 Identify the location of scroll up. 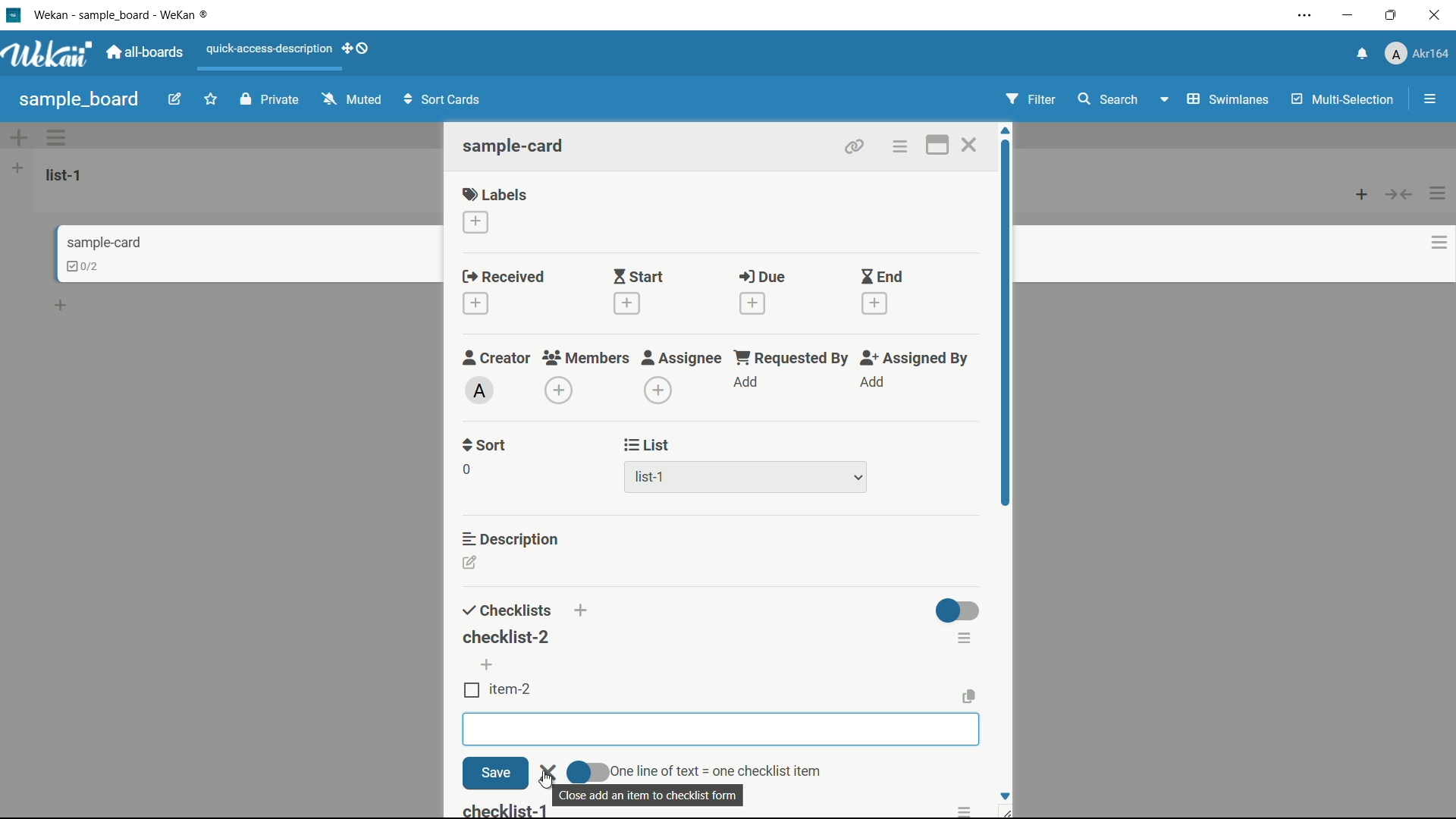
(1007, 130).